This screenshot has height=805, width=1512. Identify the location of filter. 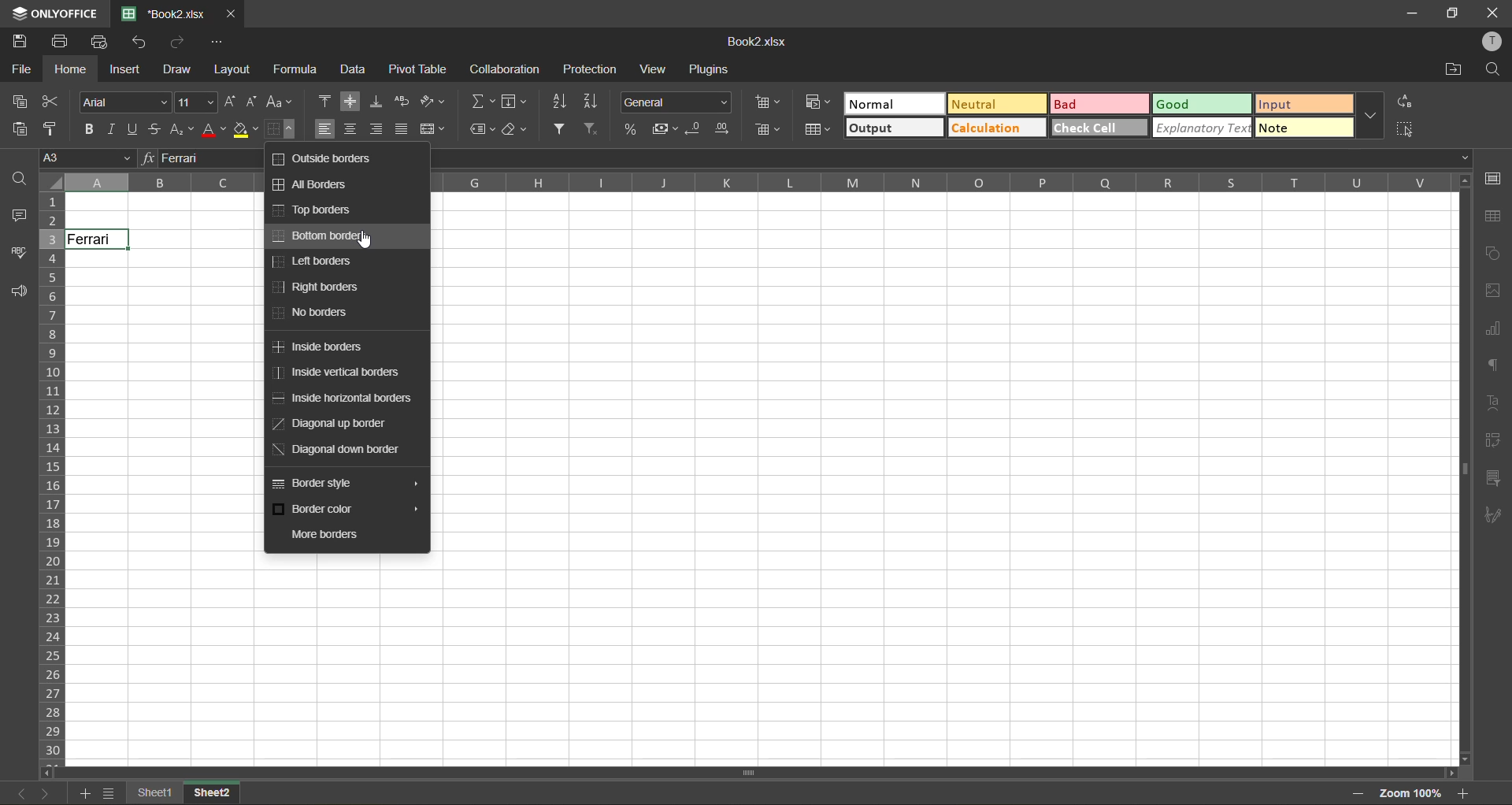
(563, 128).